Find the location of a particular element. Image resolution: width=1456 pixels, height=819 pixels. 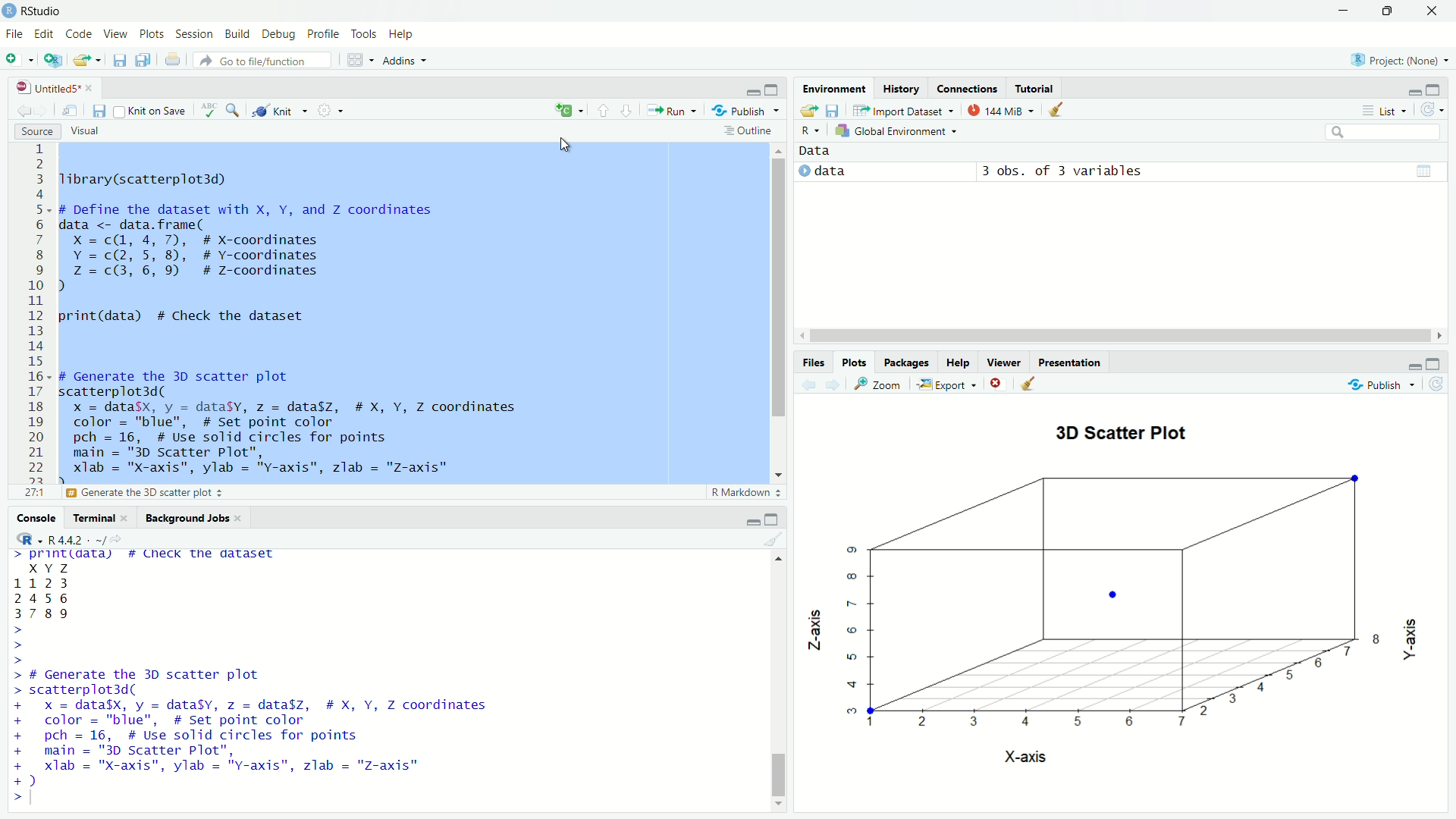

go to previous section/chunk is located at coordinates (604, 111).